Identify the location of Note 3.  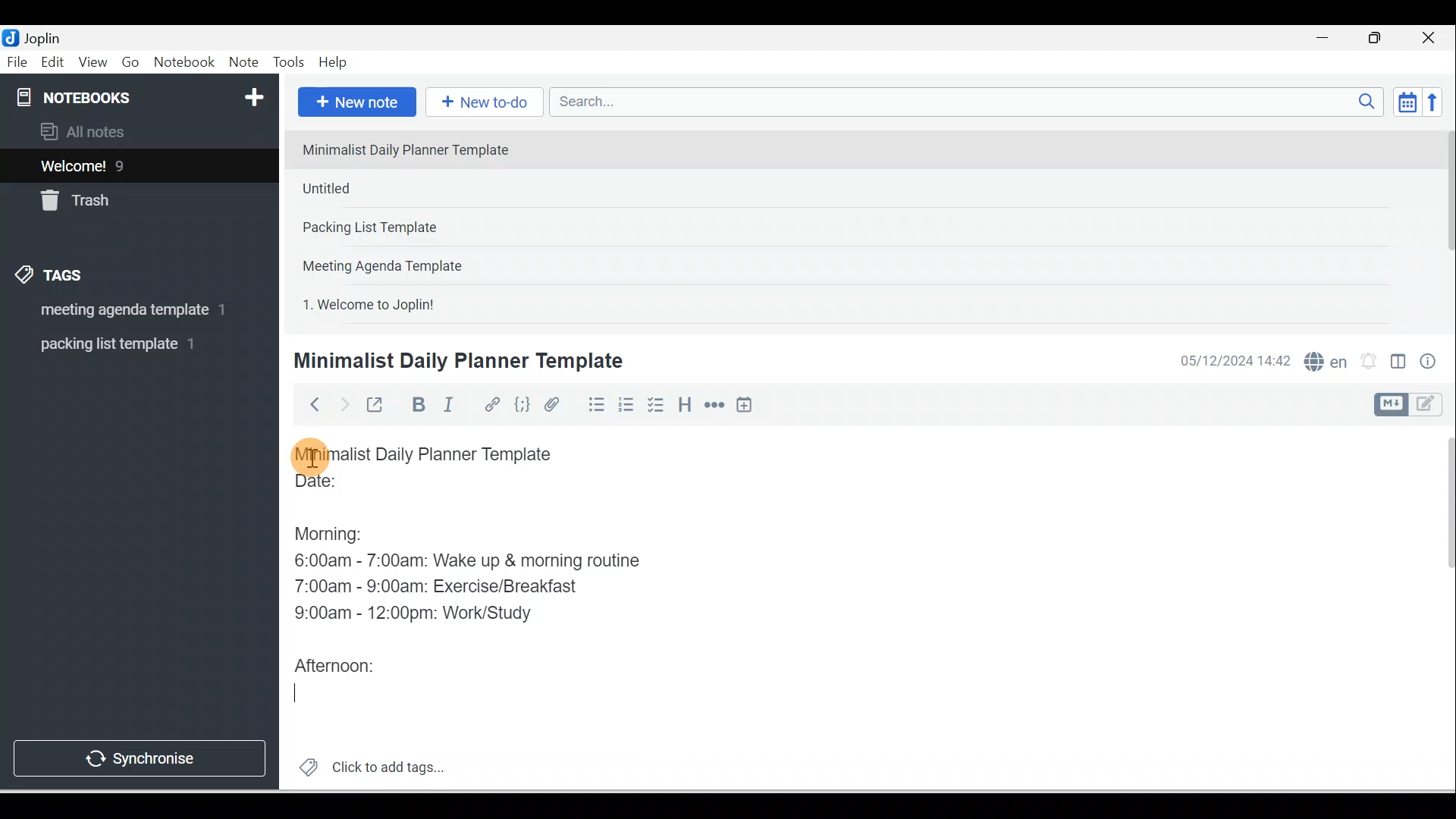
(418, 228).